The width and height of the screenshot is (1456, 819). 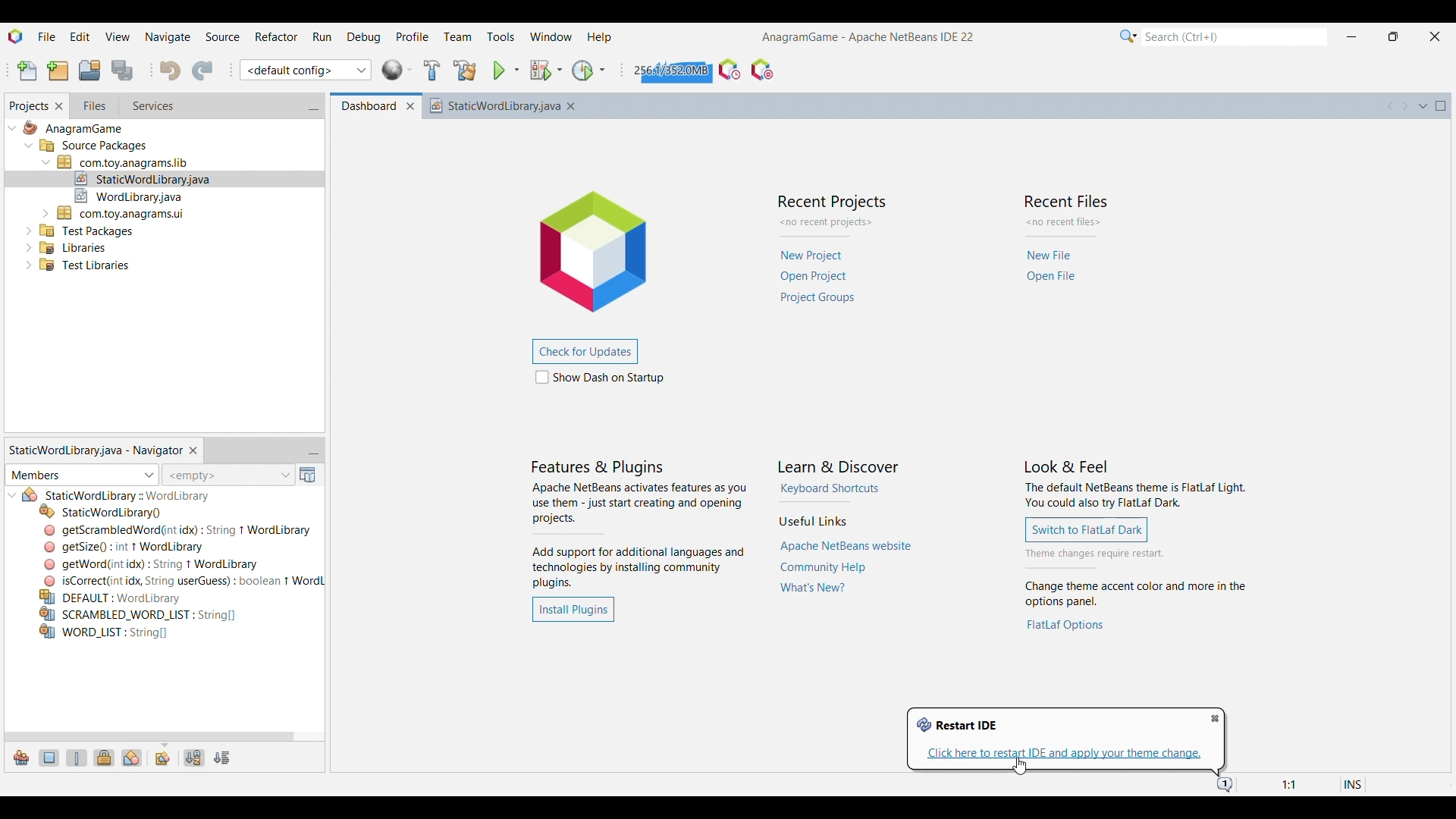 I want to click on logo, so click(x=604, y=248).